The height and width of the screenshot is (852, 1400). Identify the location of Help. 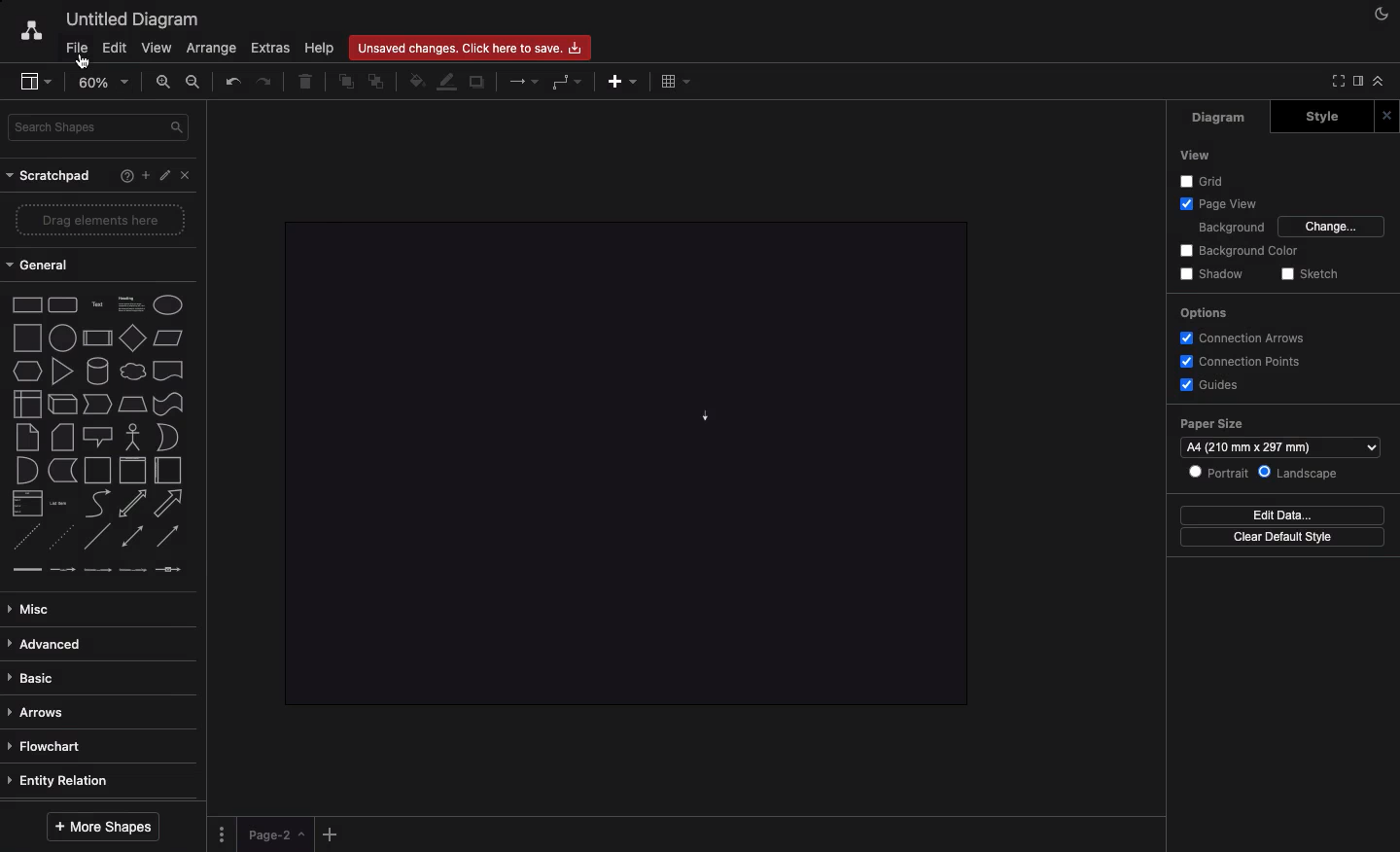
(126, 175).